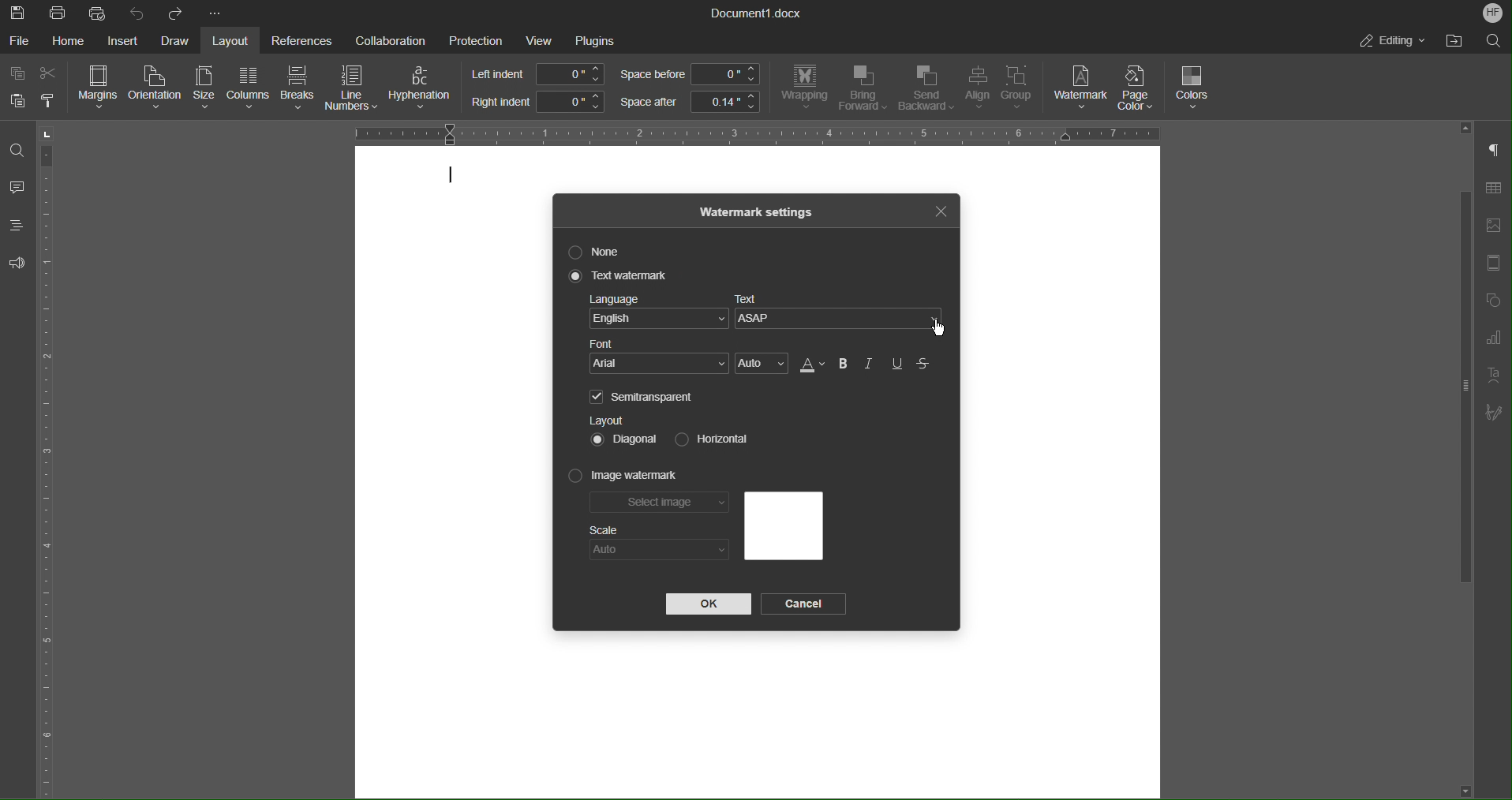 This screenshot has width=1512, height=800. What do you see at coordinates (246, 88) in the screenshot?
I see `Columns` at bounding box center [246, 88].